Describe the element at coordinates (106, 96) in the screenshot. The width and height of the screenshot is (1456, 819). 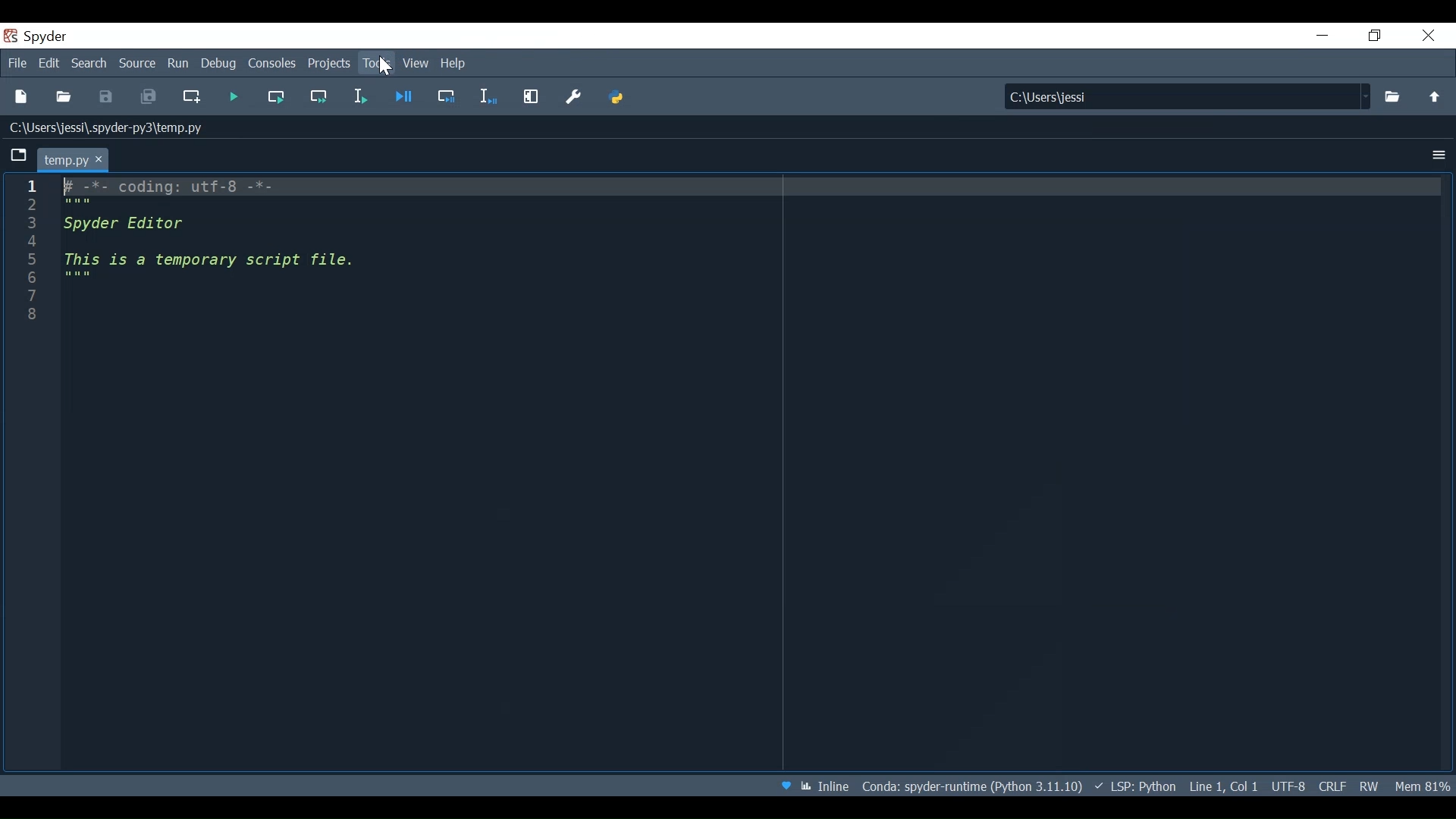
I see `Save File` at that location.